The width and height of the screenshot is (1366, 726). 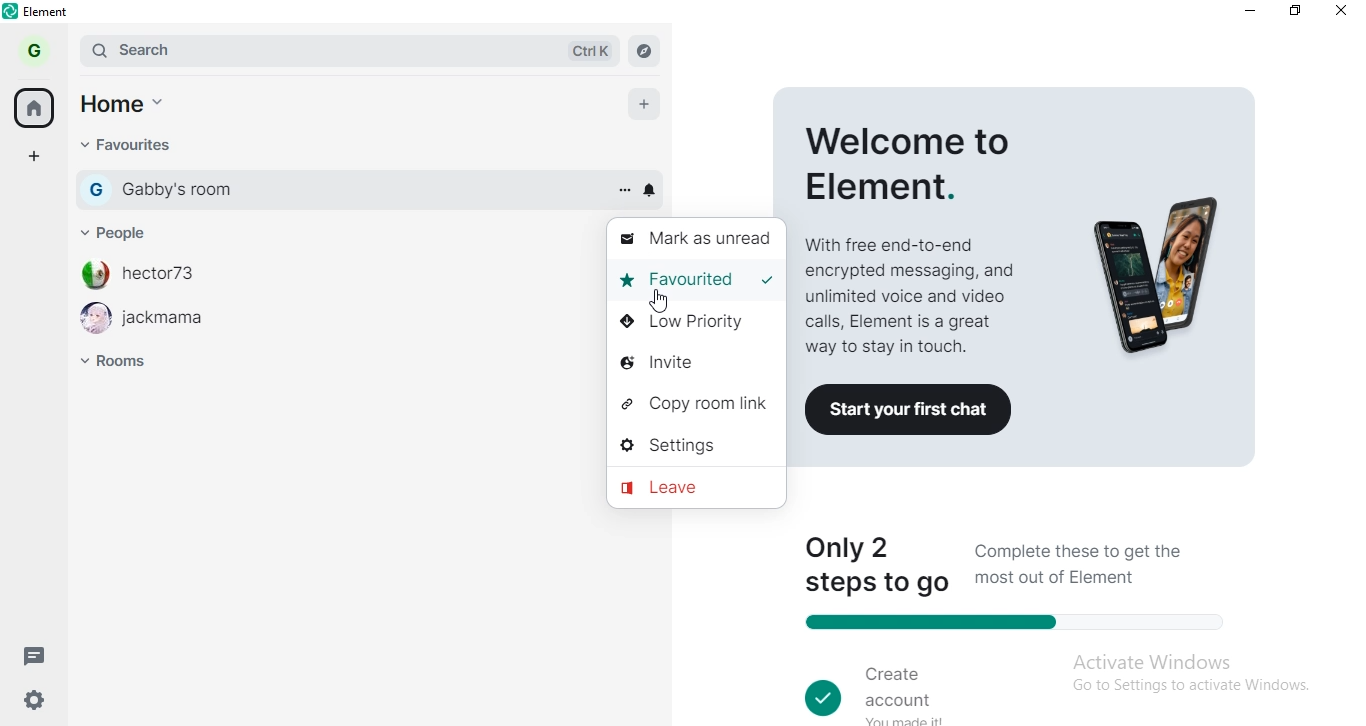 I want to click on gabby's room, so click(x=351, y=190).